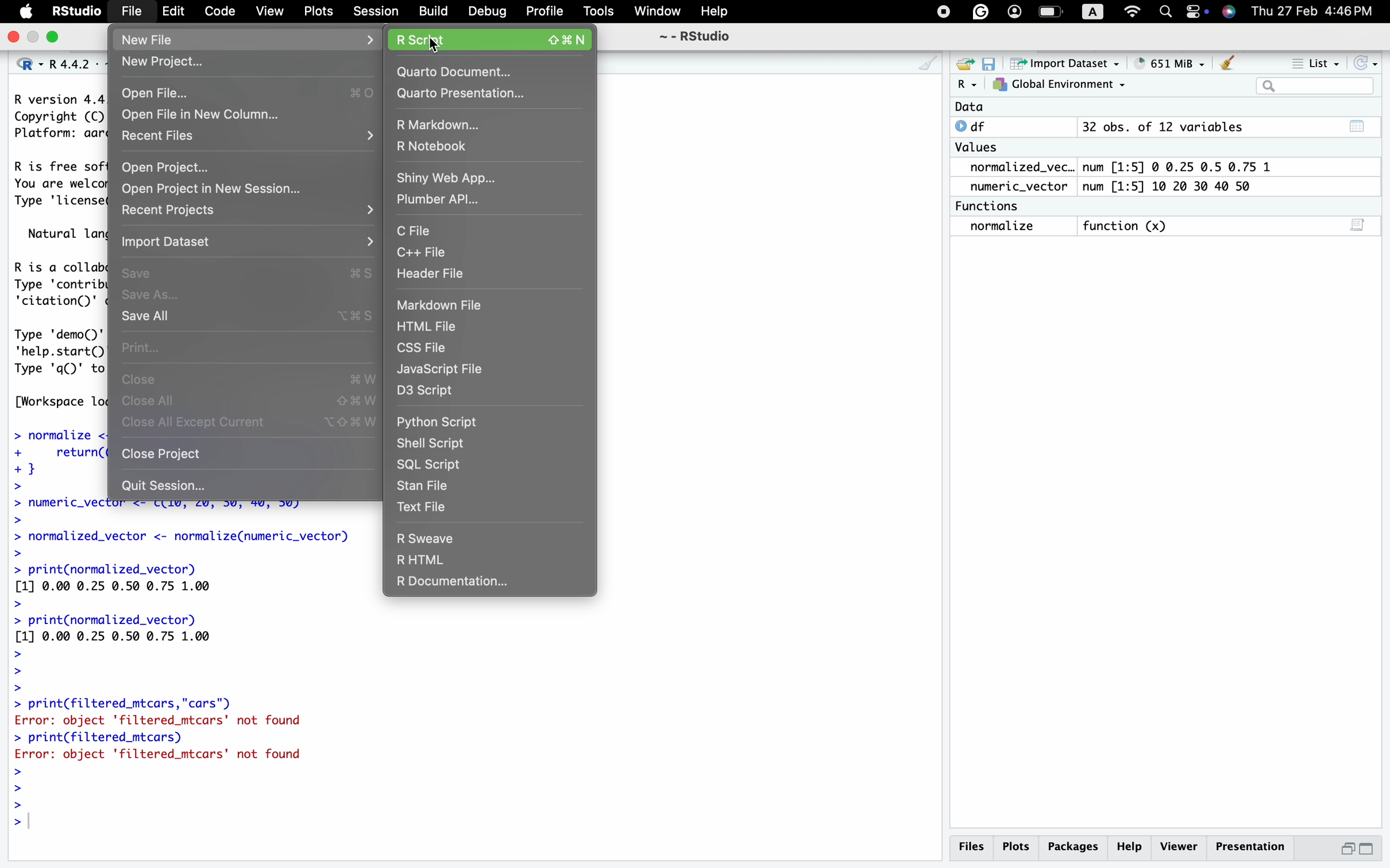 The width and height of the screenshot is (1390, 868). Describe the element at coordinates (439, 464) in the screenshot. I see `SQL Script` at that location.